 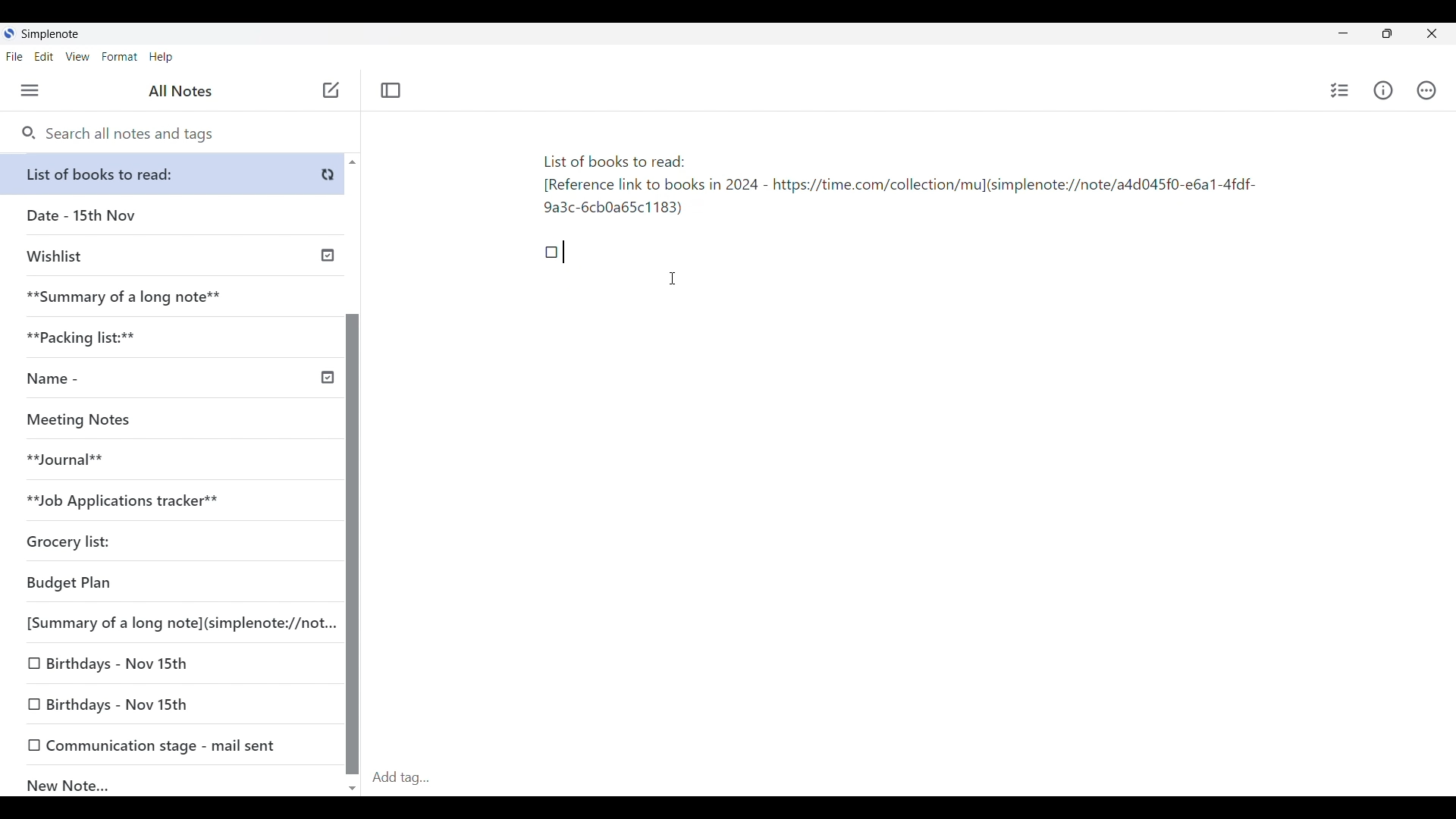 I want to click on Simplenote, so click(x=49, y=34).